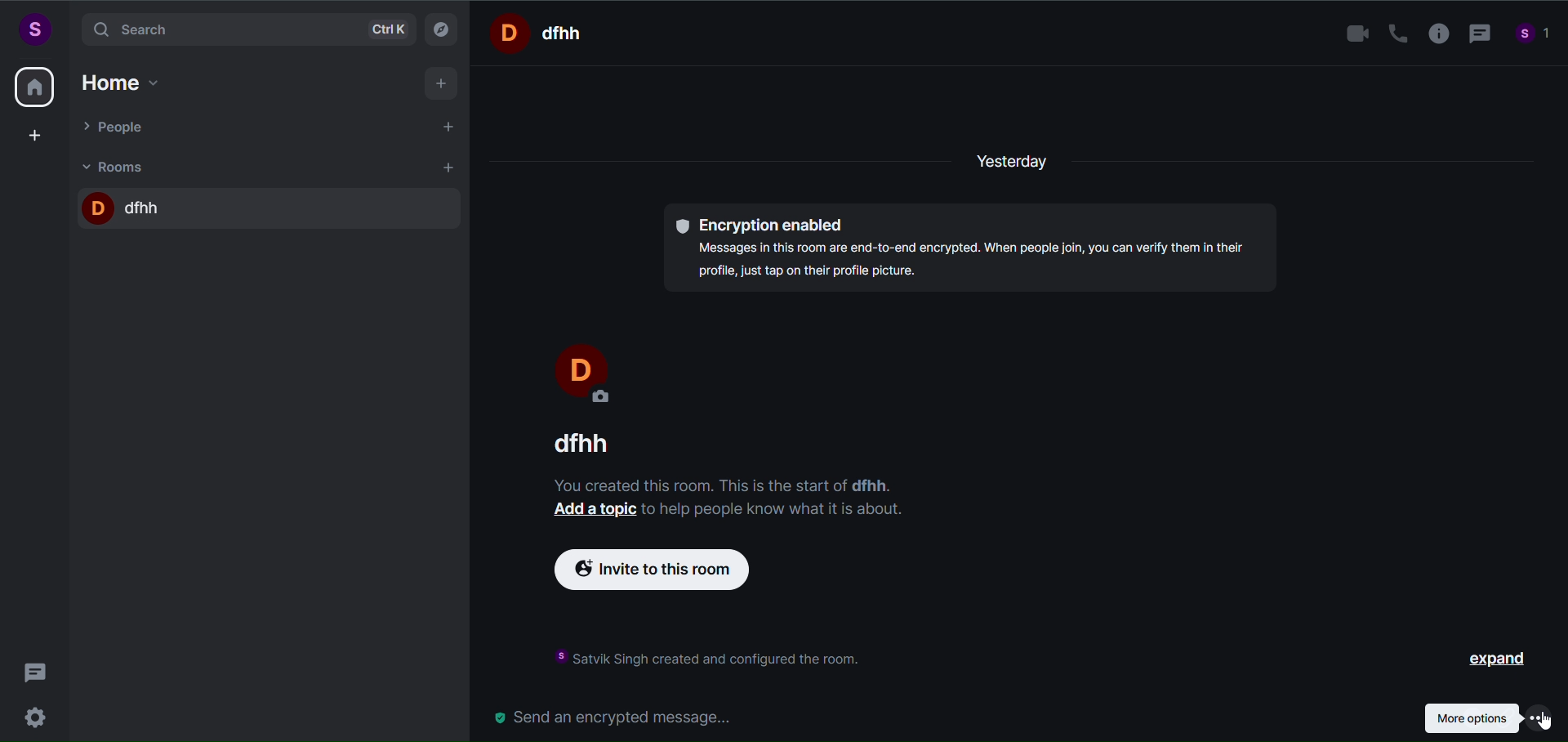 The image size is (1568, 742). Describe the element at coordinates (1534, 36) in the screenshot. I see `people` at that location.